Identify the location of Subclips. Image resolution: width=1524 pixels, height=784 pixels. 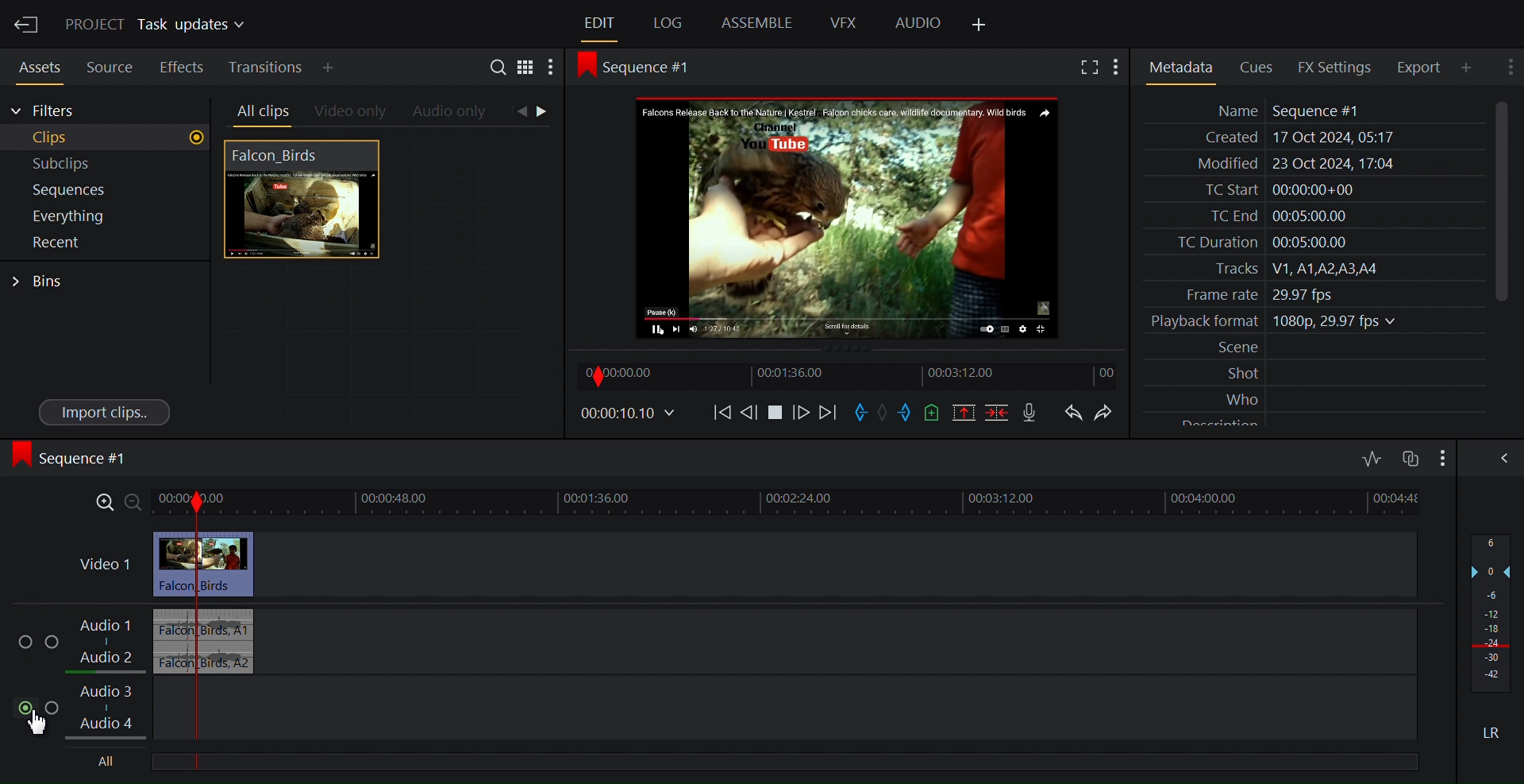
(106, 164).